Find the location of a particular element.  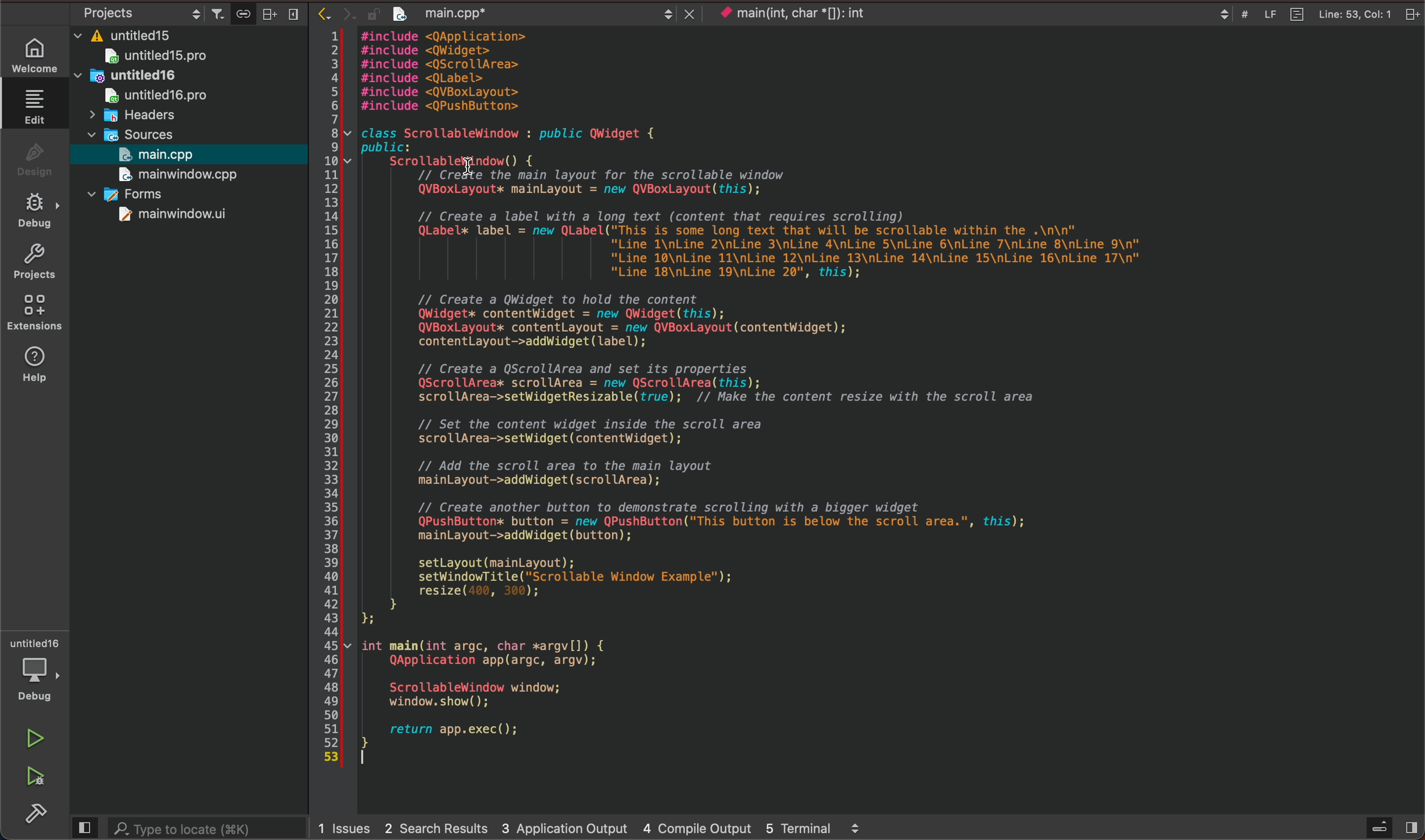

split is located at coordinates (268, 13).